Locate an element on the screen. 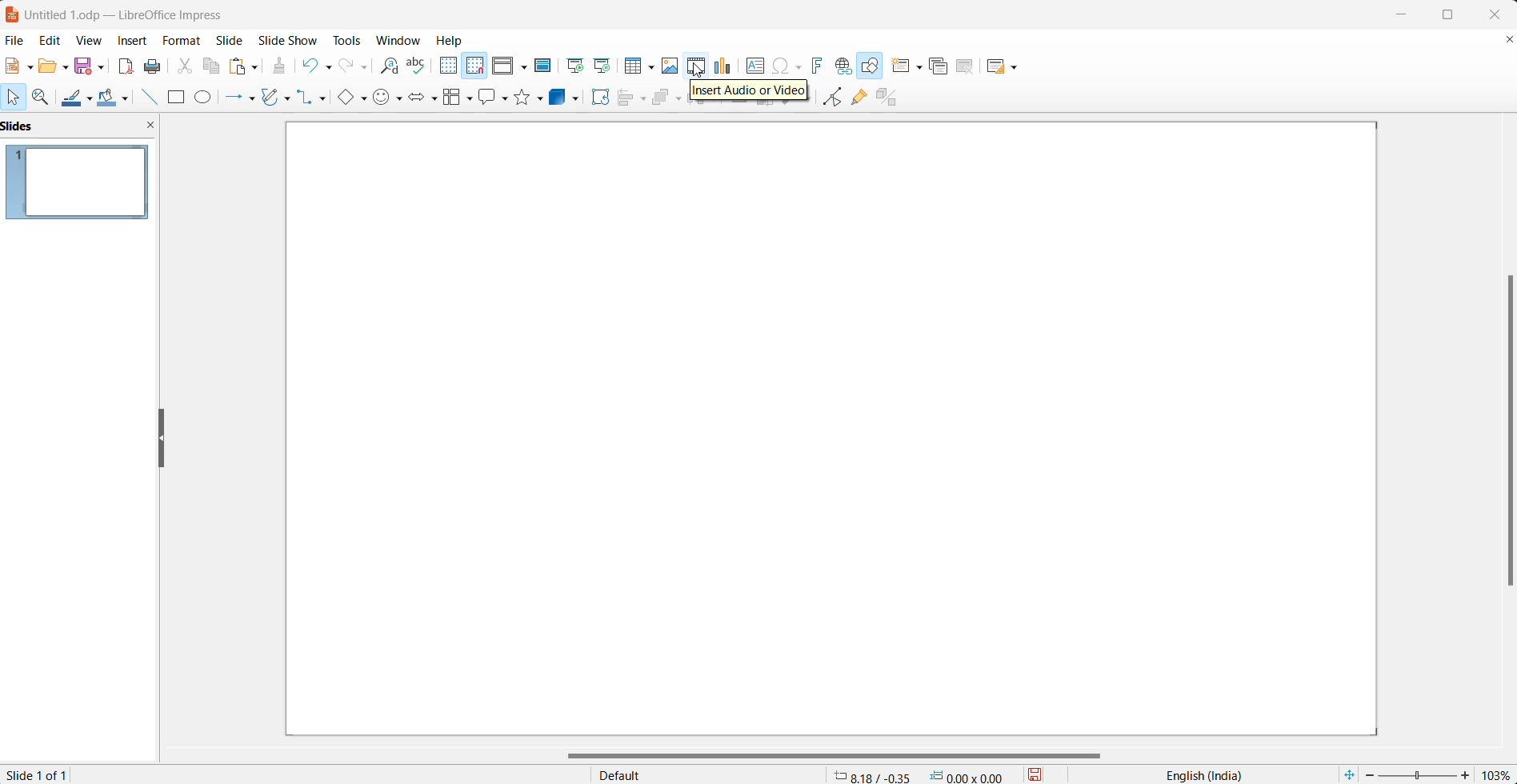  toggle extrusion is located at coordinates (889, 98).